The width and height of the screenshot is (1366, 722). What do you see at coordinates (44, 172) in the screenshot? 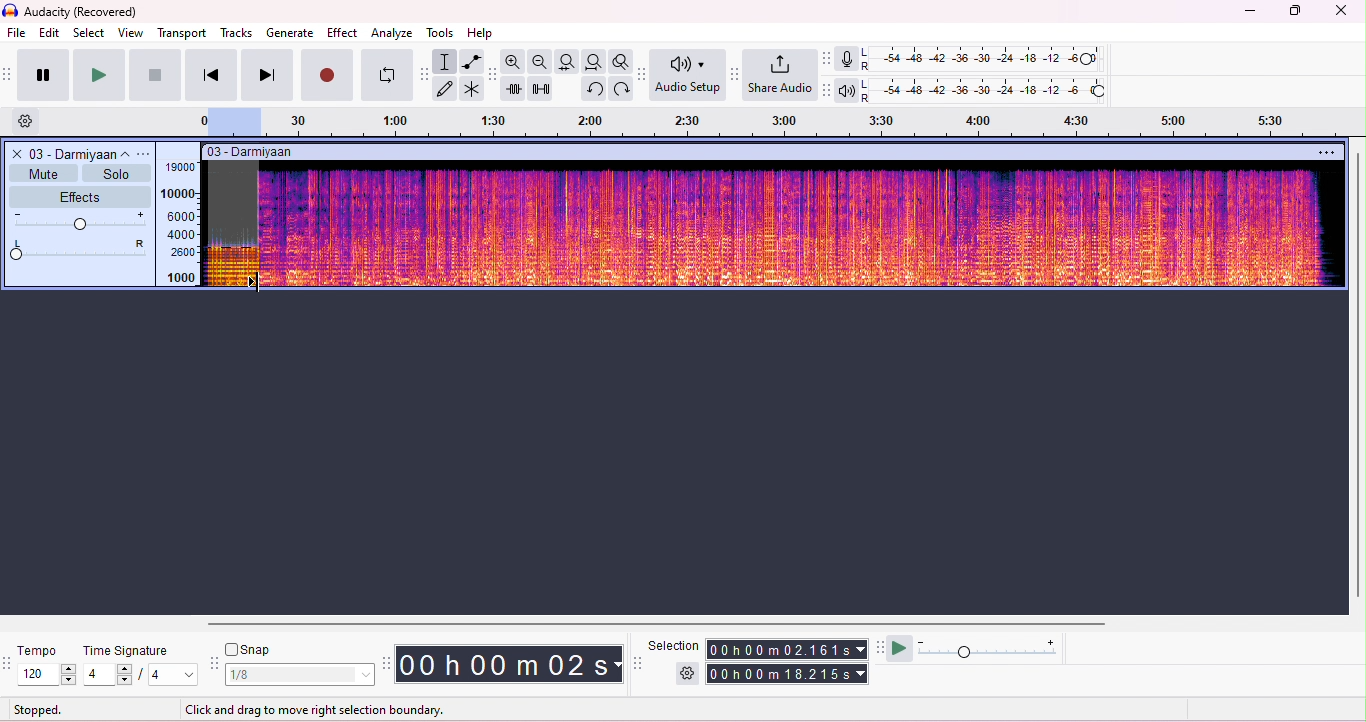
I see `mute` at bounding box center [44, 172].